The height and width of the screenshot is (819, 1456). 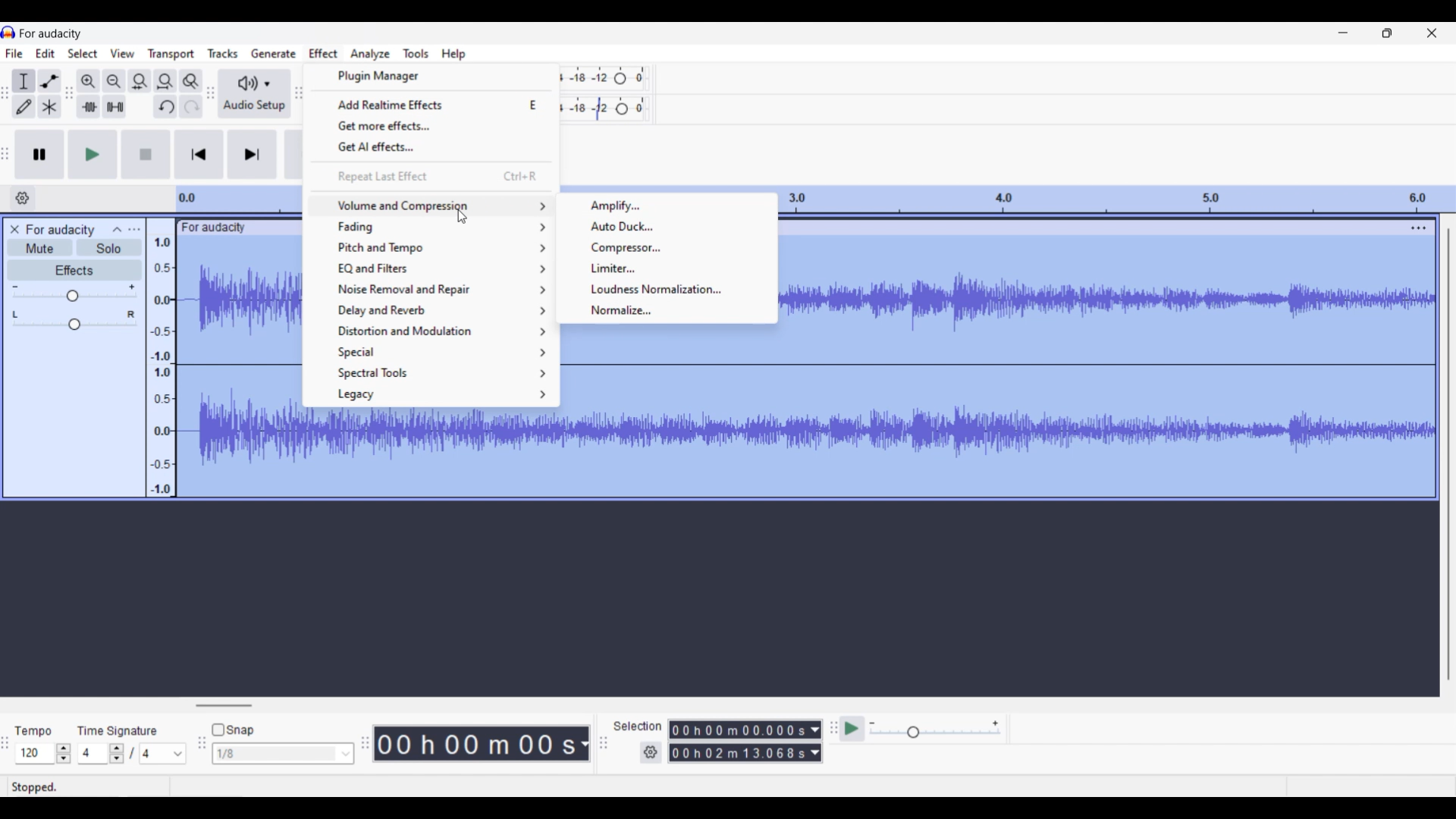 What do you see at coordinates (1432, 33) in the screenshot?
I see `Close interface` at bounding box center [1432, 33].